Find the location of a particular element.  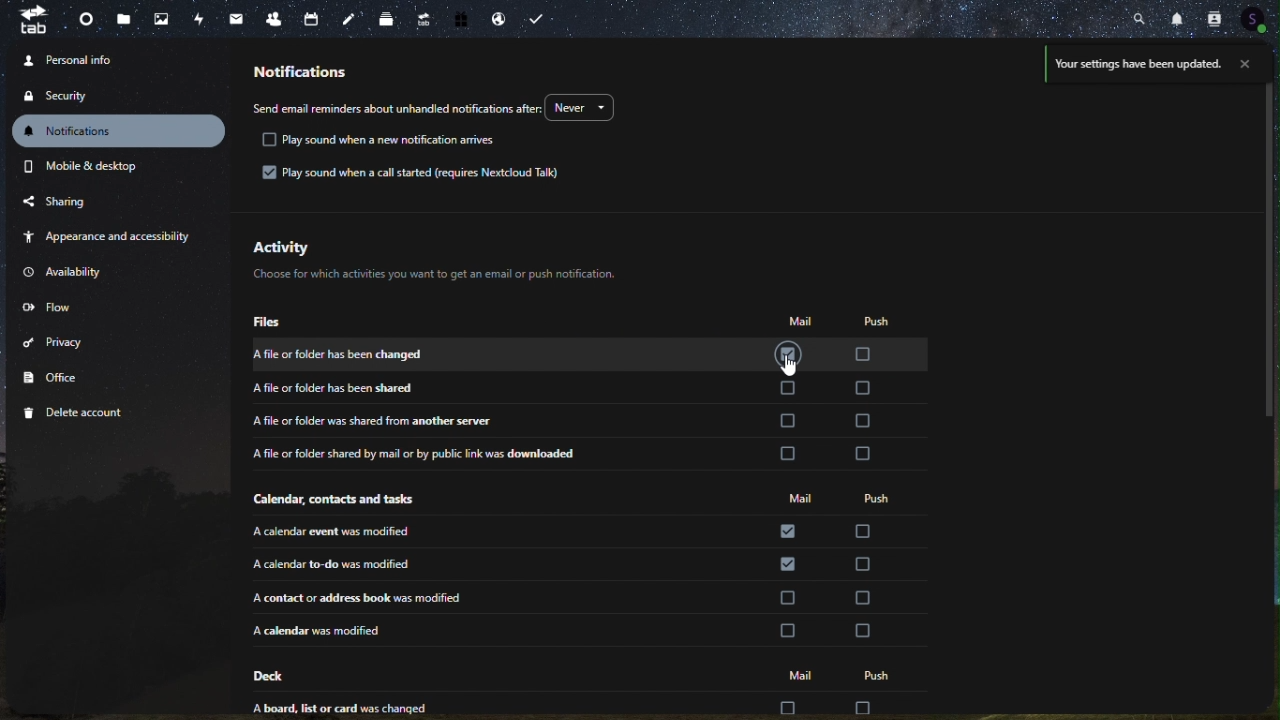

a file or folder was shared from another server is located at coordinates (377, 418).